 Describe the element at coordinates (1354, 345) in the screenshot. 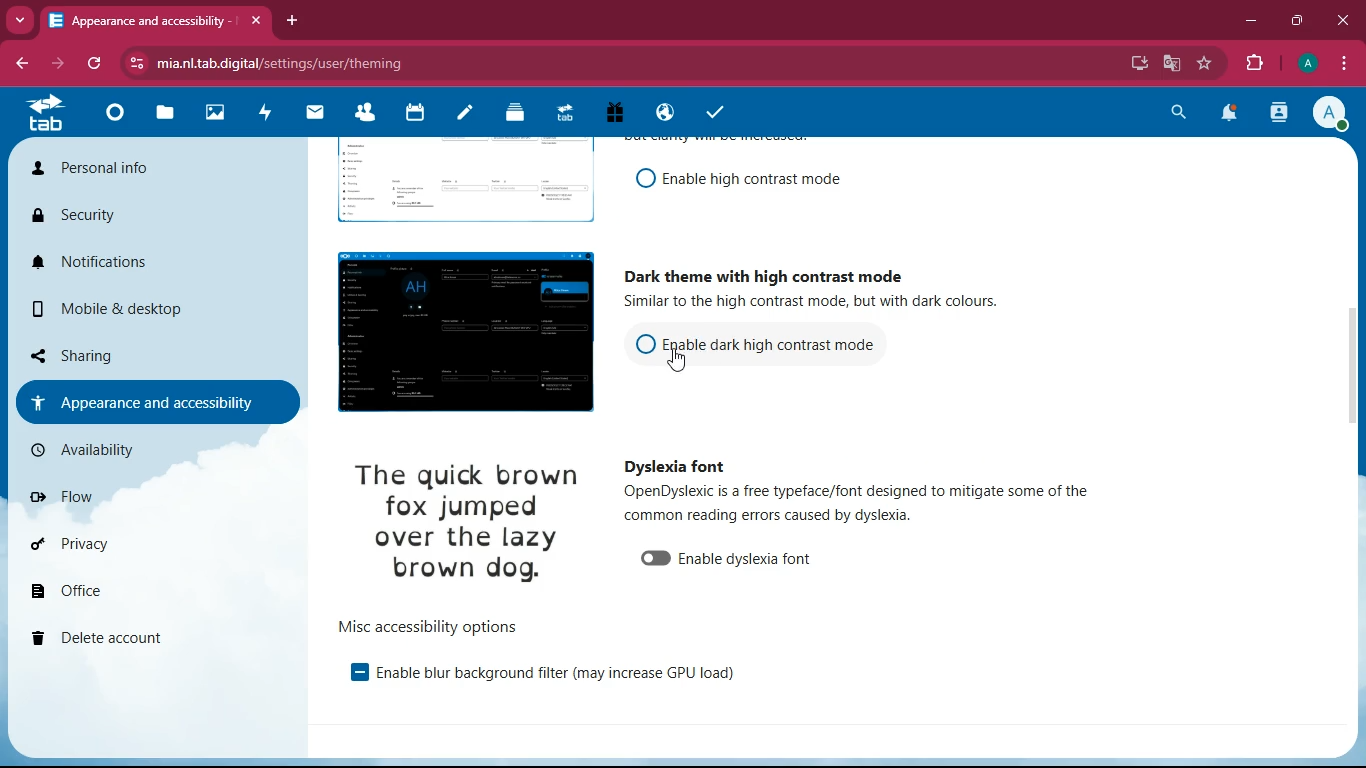

I see `scroll bar` at that location.